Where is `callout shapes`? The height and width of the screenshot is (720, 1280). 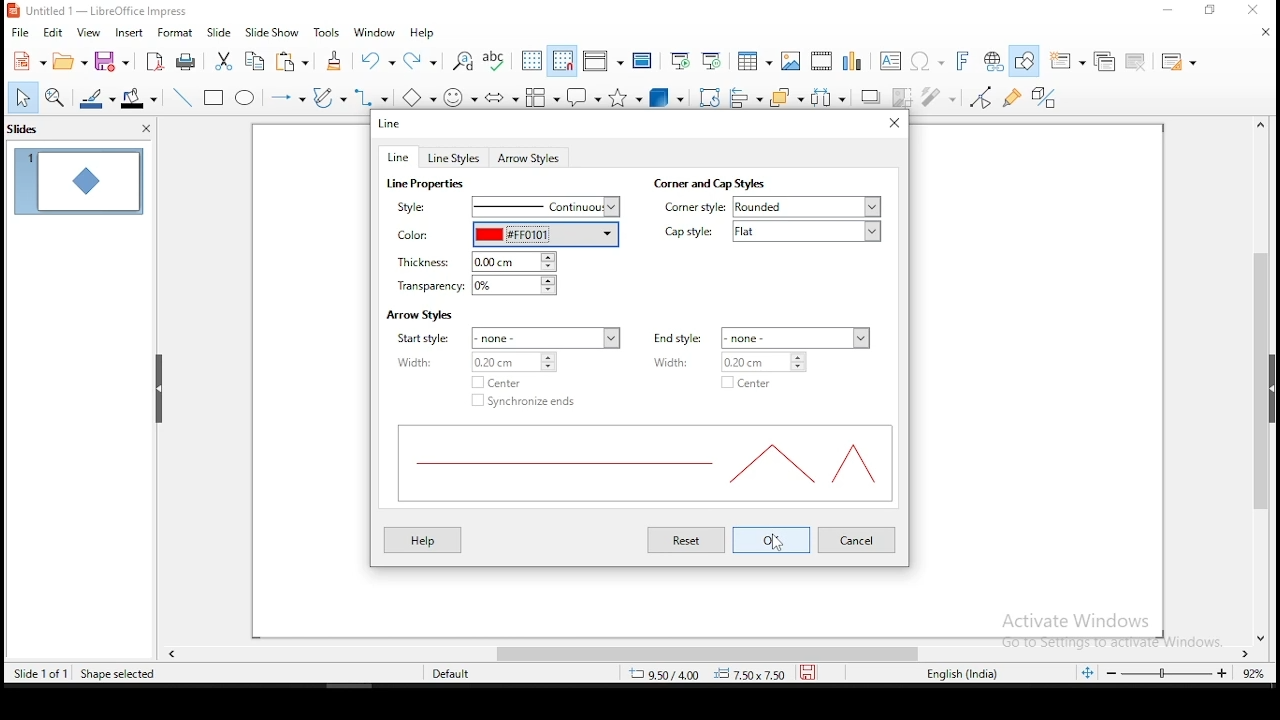
callout shapes is located at coordinates (587, 96).